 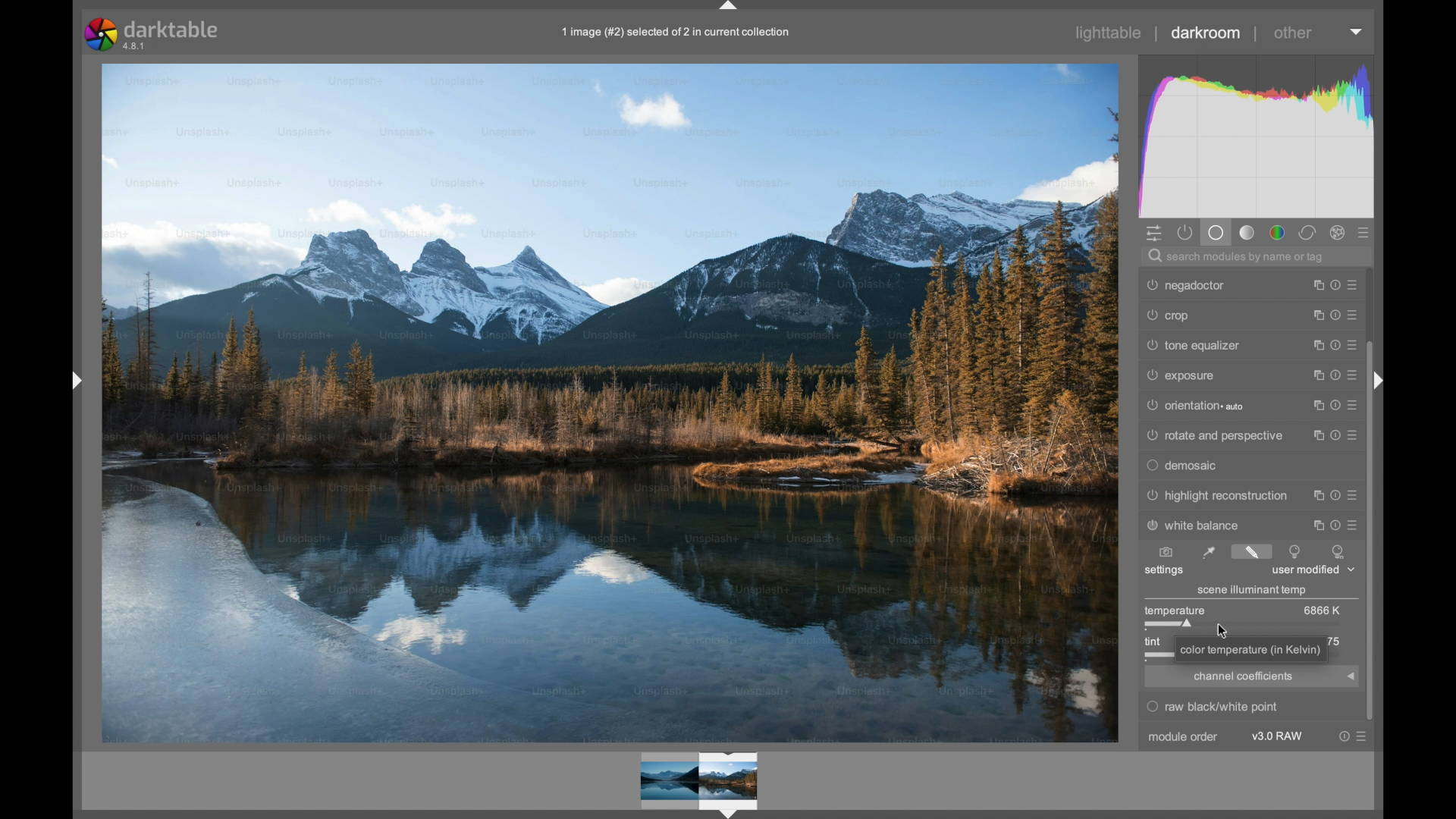 What do you see at coordinates (1186, 232) in the screenshot?
I see `show active module` at bounding box center [1186, 232].